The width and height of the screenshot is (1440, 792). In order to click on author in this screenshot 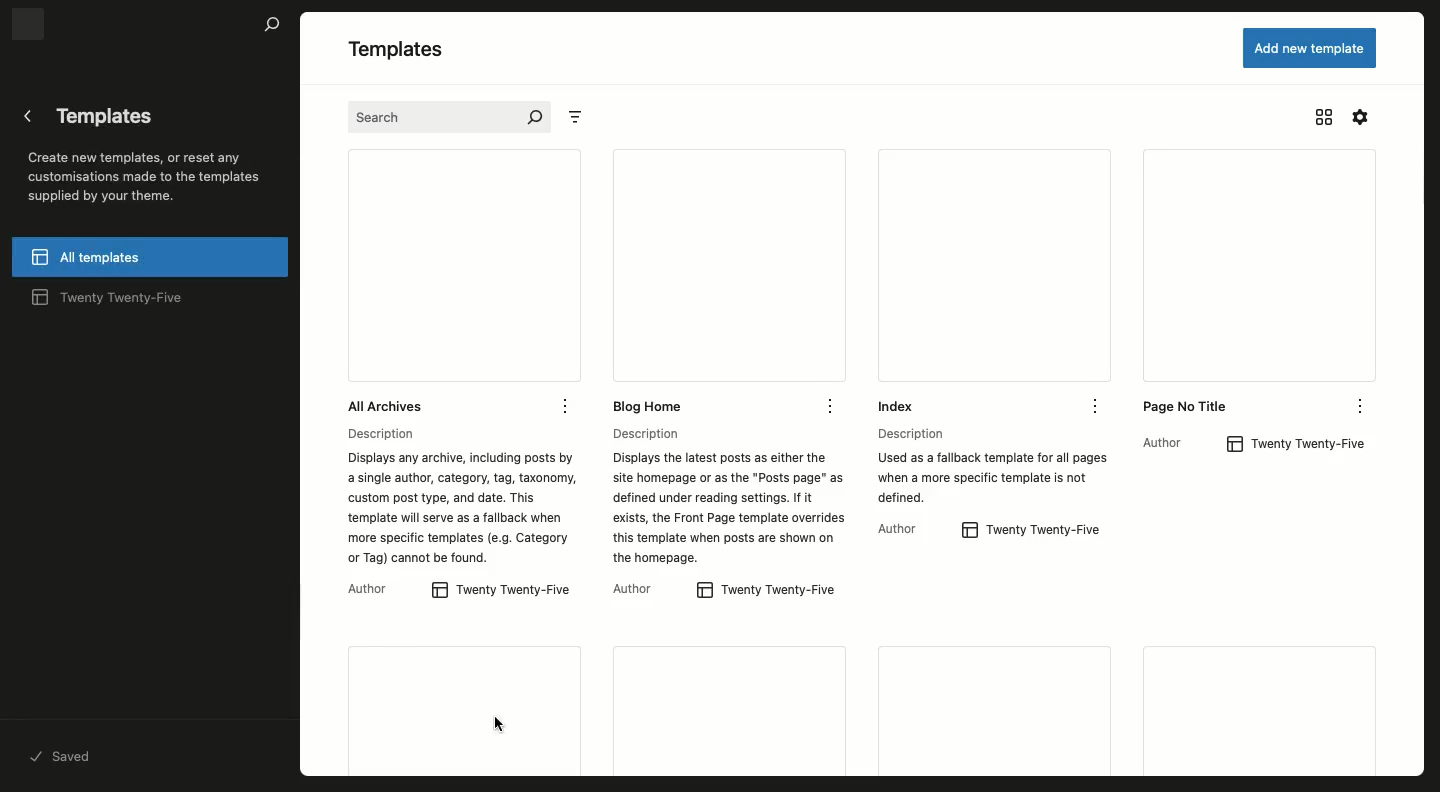, I will do `click(902, 528)`.